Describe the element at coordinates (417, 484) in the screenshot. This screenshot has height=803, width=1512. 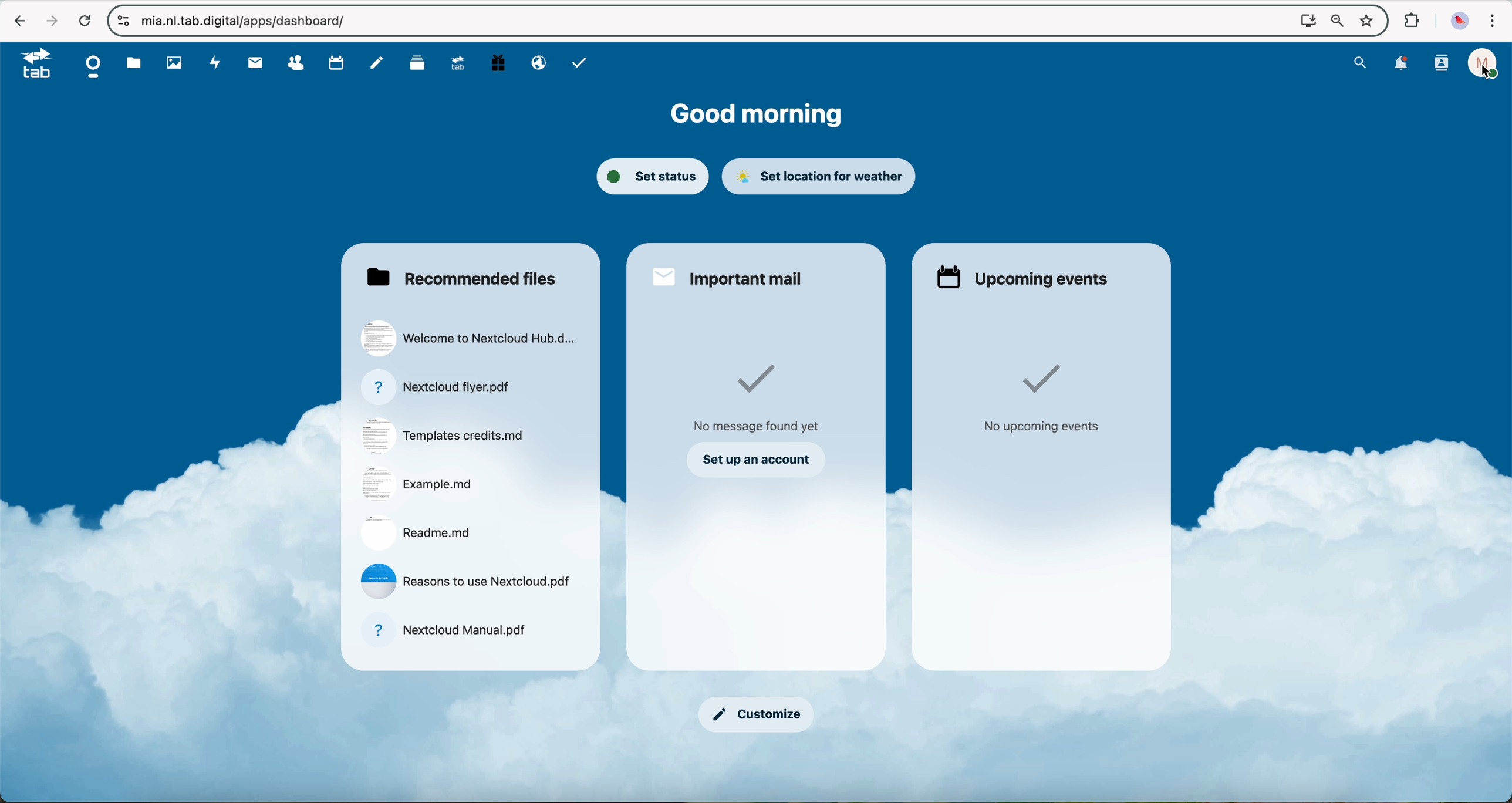
I see `file` at that location.